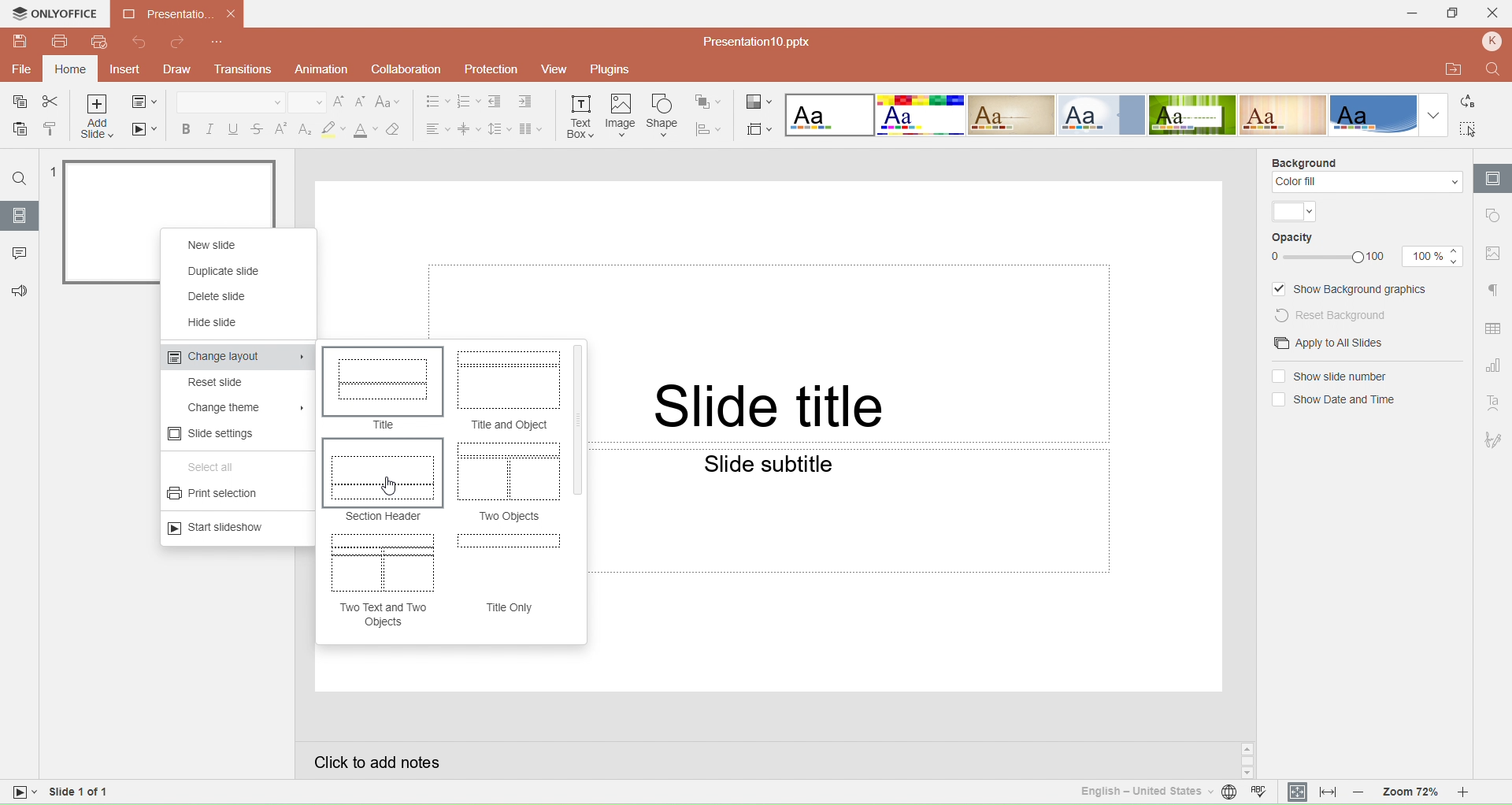  Describe the element at coordinates (1101, 115) in the screenshot. I see `Official` at that location.